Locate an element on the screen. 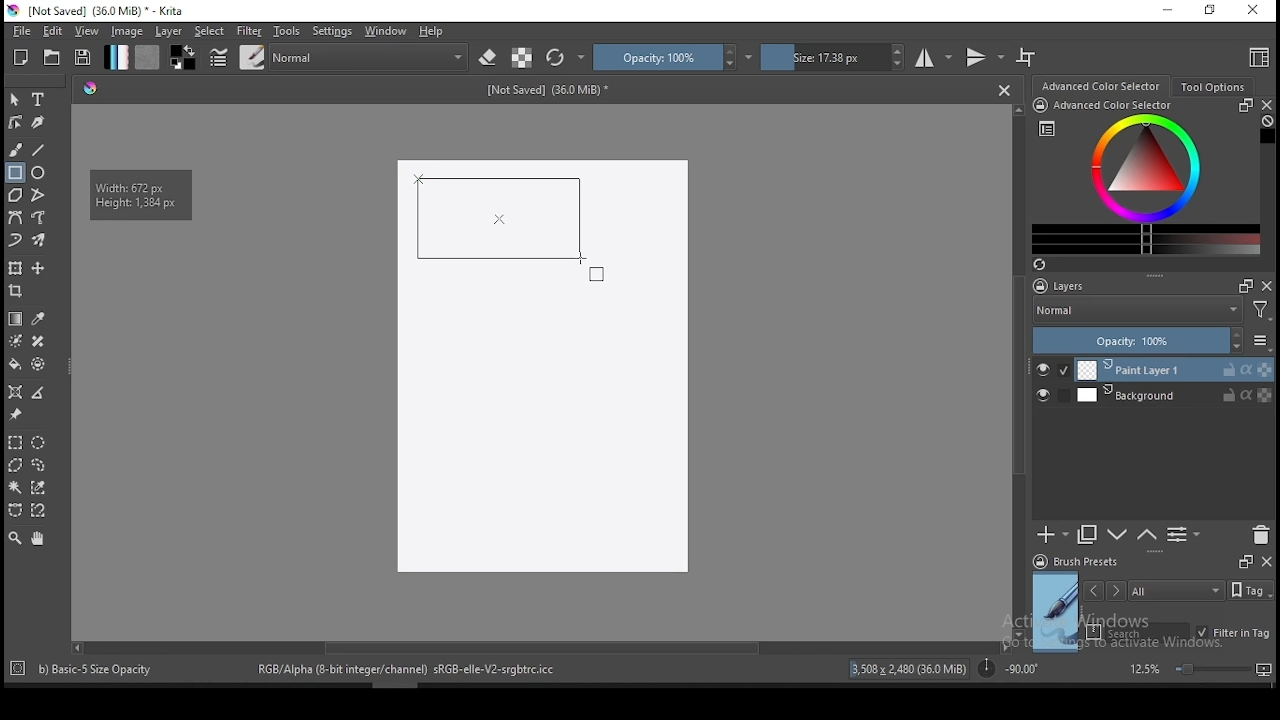  image is located at coordinates (126, 31).